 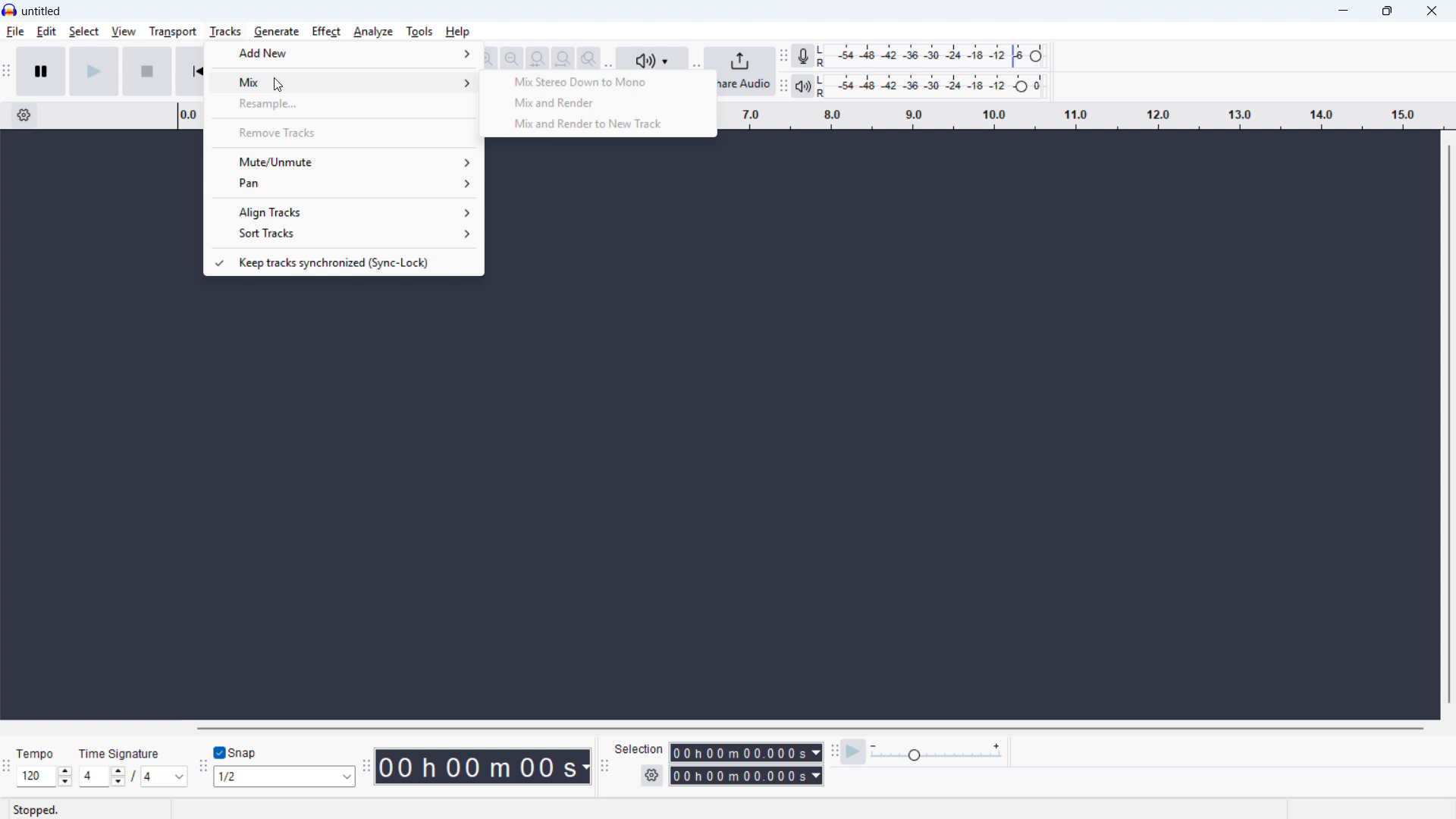 I want to click on Horizontal scroll bar , so click(x=810, y=728).